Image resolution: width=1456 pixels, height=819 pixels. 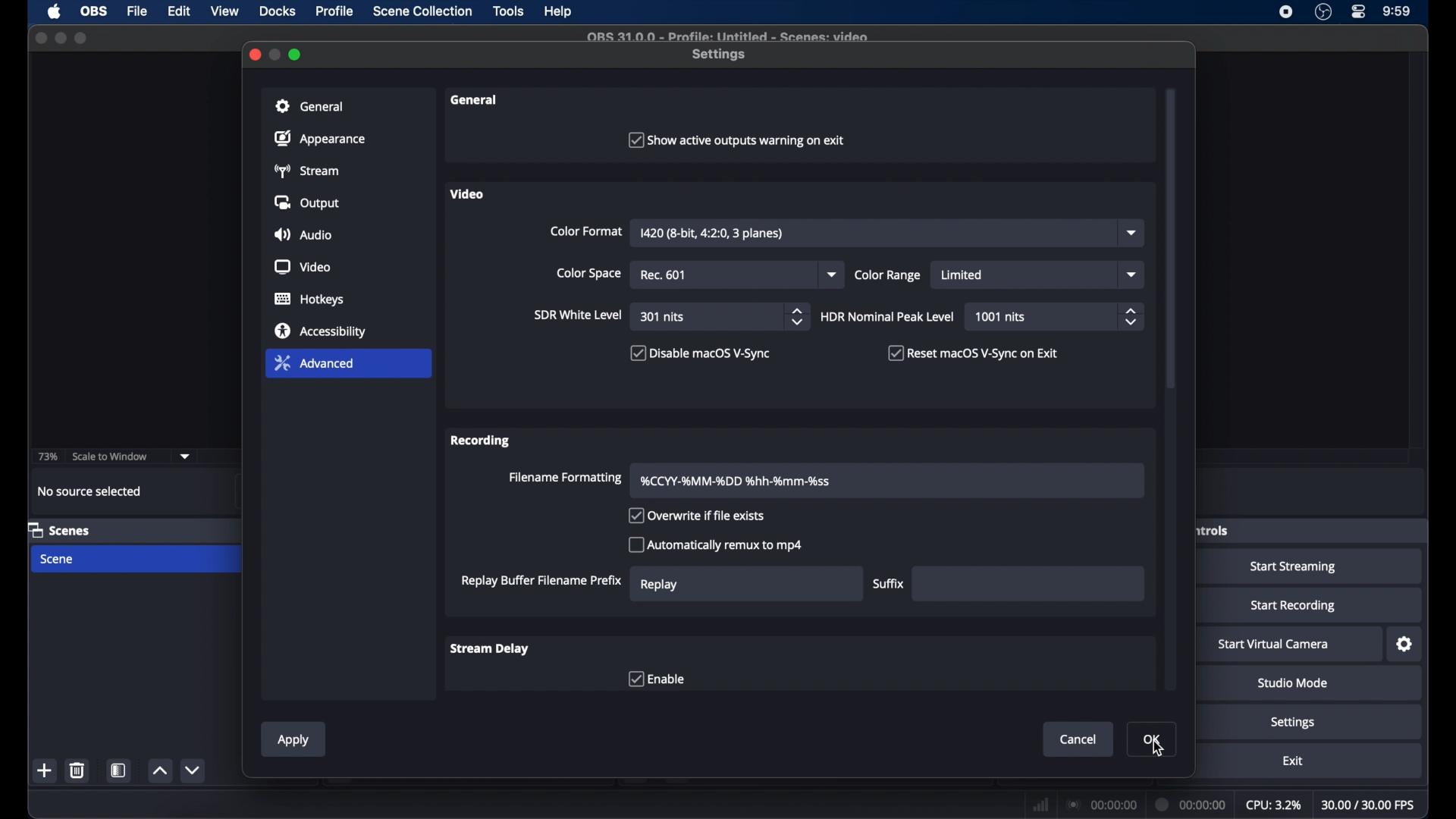 I want to click on ok, so click(x=1152, y=739).